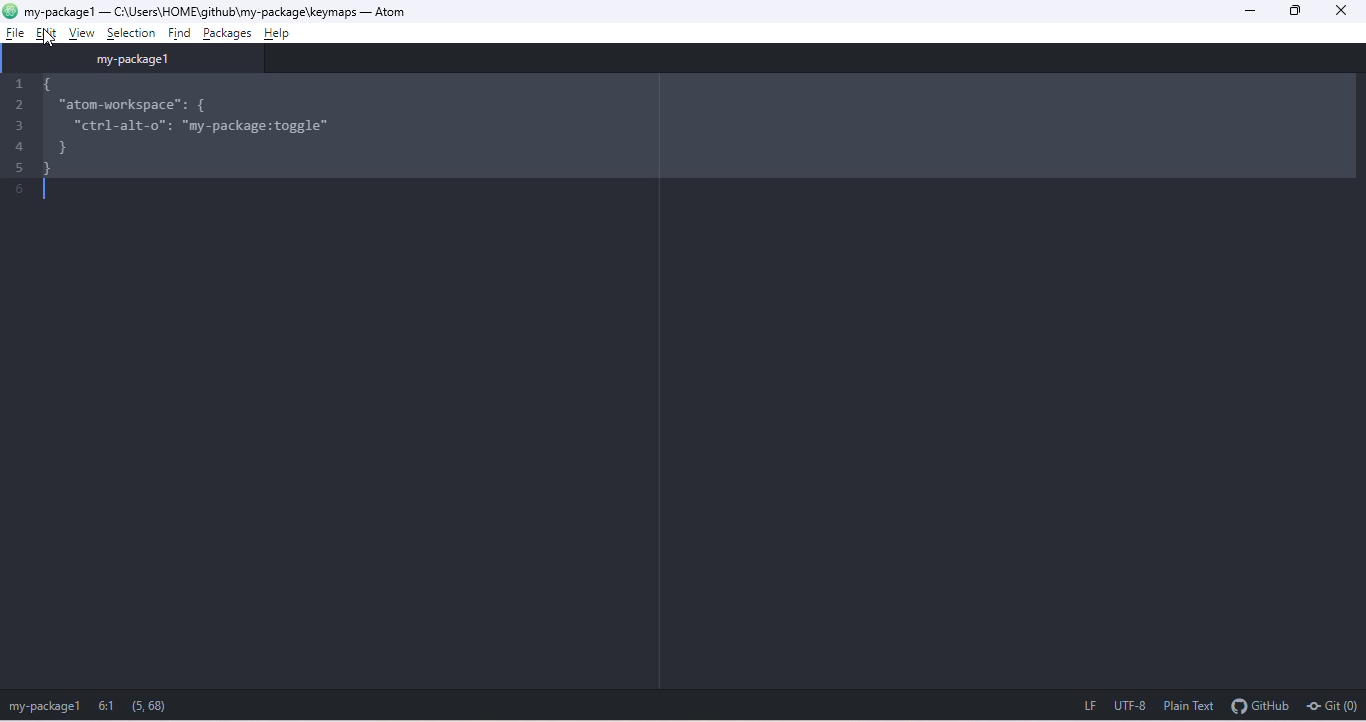 The image size is (1366, 722). I want to click on find, so click(178, 32).